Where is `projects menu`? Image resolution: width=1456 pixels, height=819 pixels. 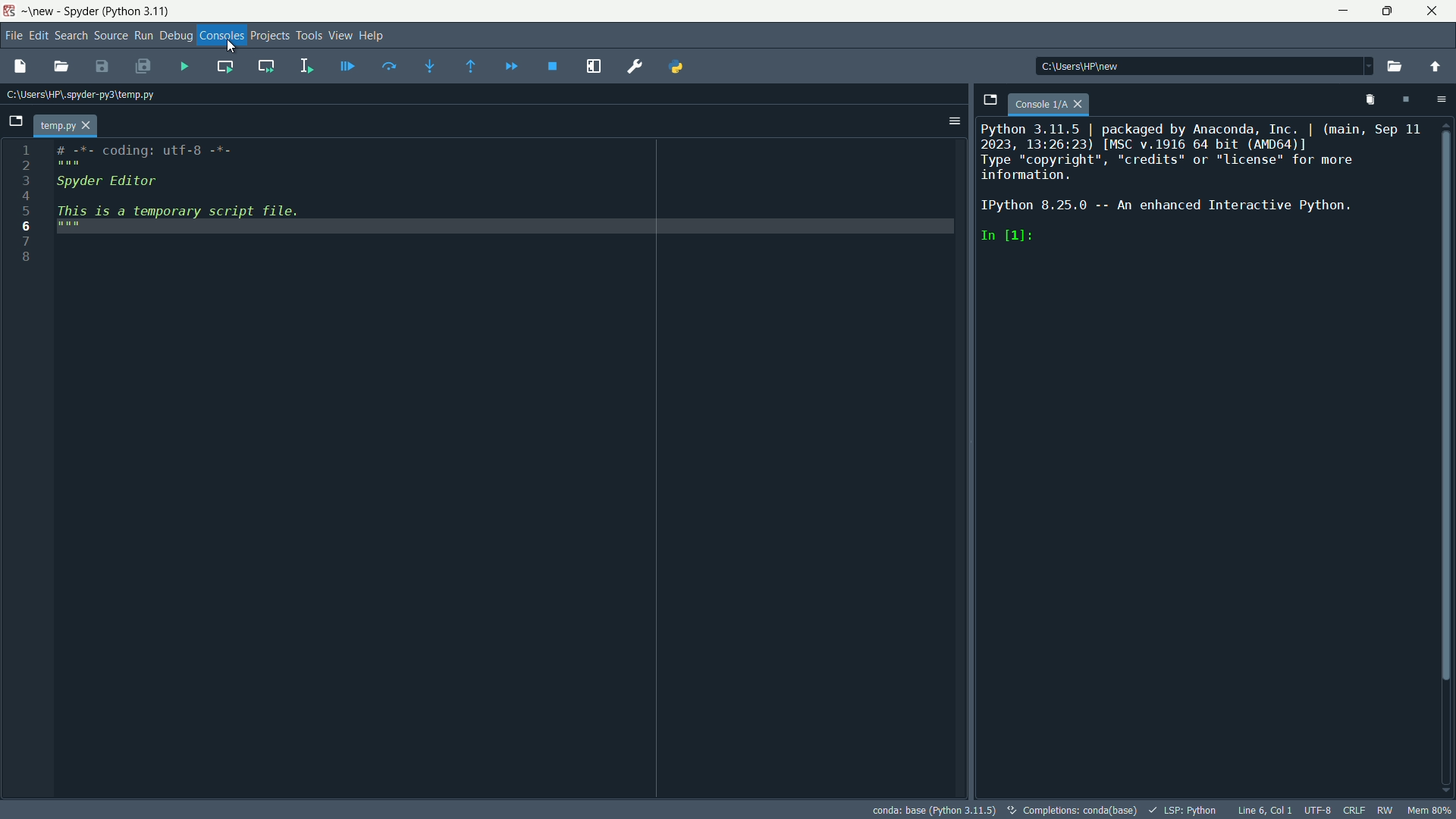
projects menu is located at coordinates (271, 36).